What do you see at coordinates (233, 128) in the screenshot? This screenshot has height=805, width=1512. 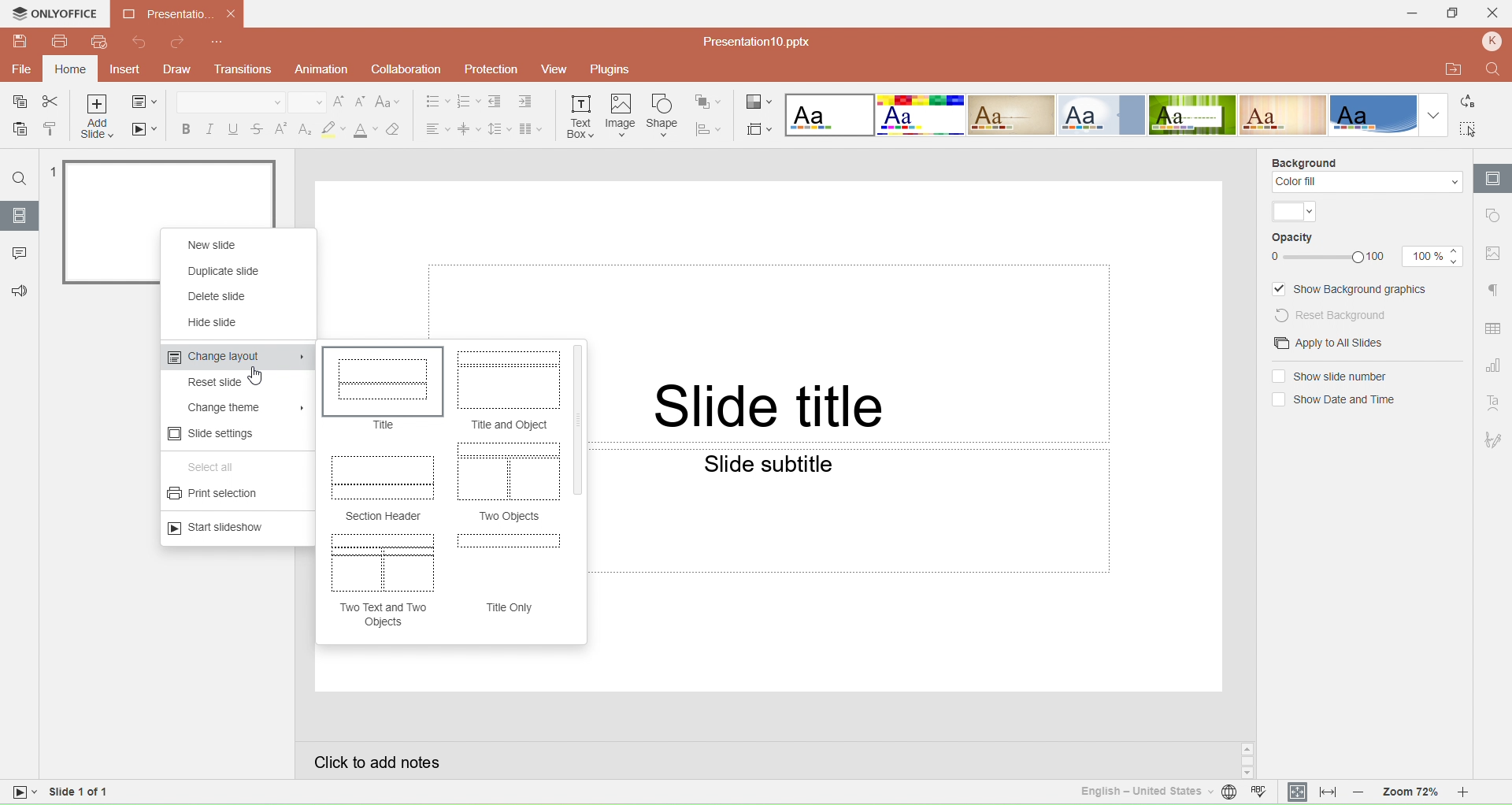 I see `Underline` at bounding box center [233, 128].